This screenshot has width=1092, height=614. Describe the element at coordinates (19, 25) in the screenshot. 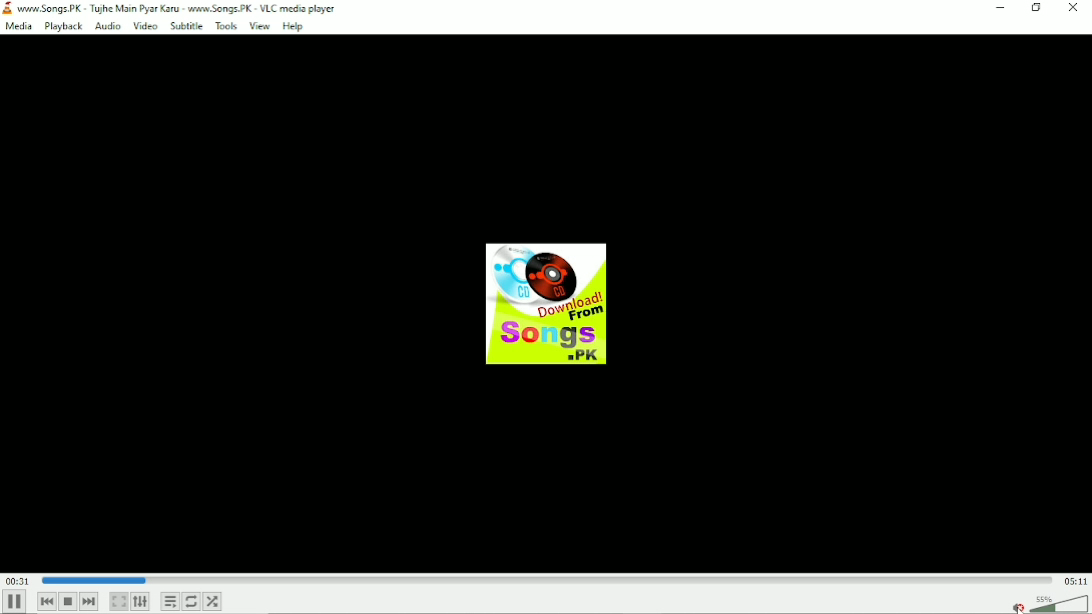

I see `Media` at that location.